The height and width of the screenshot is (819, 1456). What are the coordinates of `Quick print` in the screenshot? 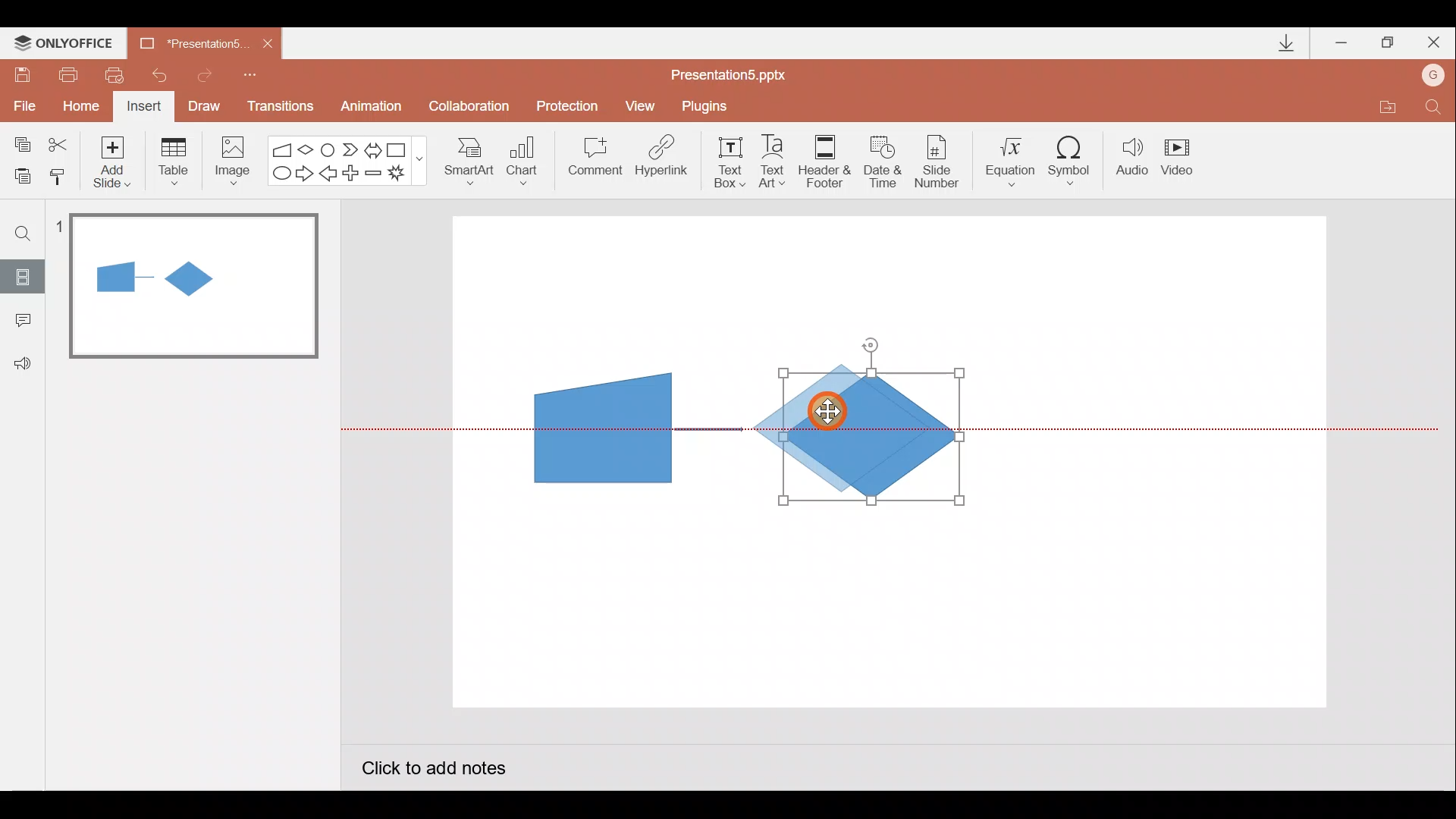 It's located at (120, 71).